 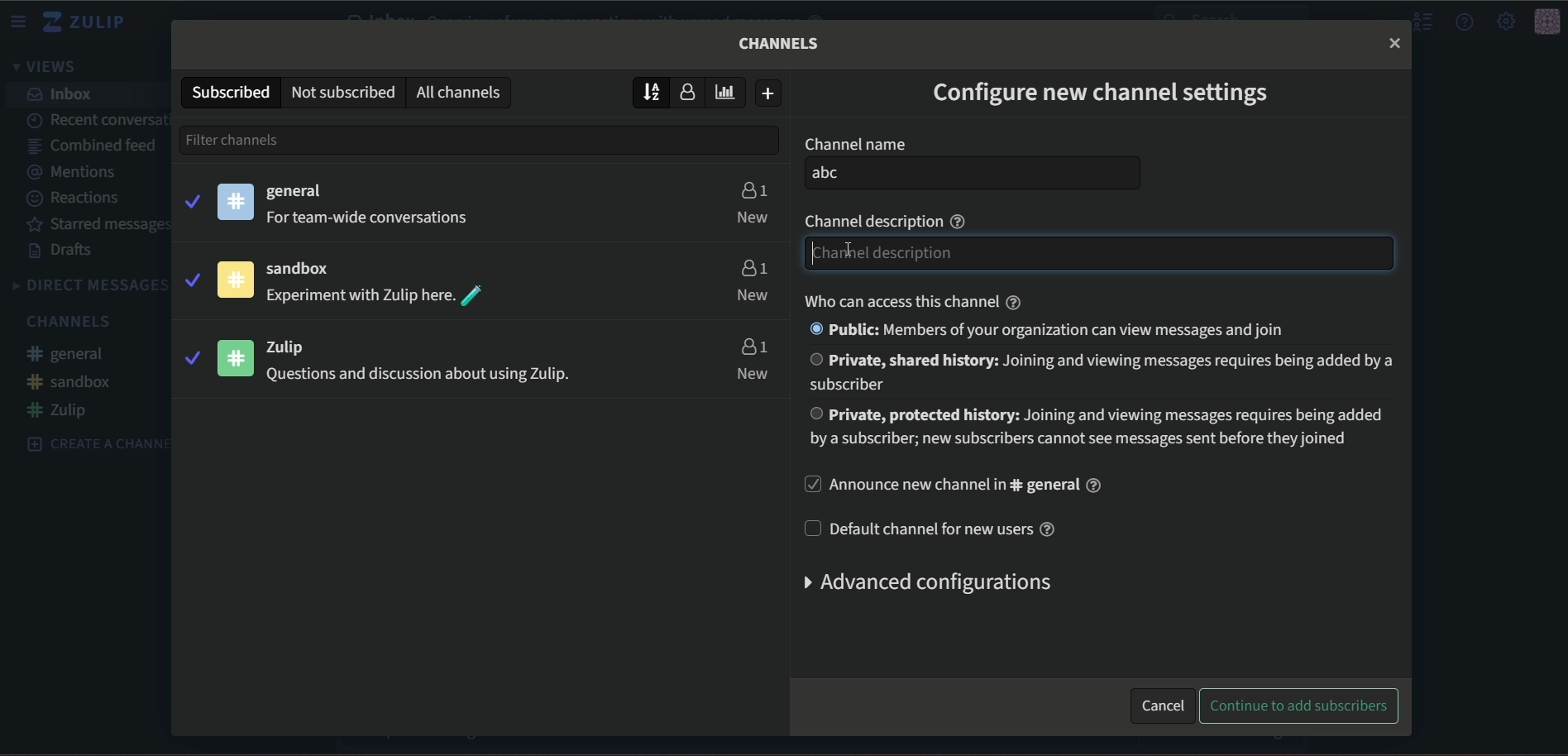 I want to click on recent conversation, so click(x=98, y=117).